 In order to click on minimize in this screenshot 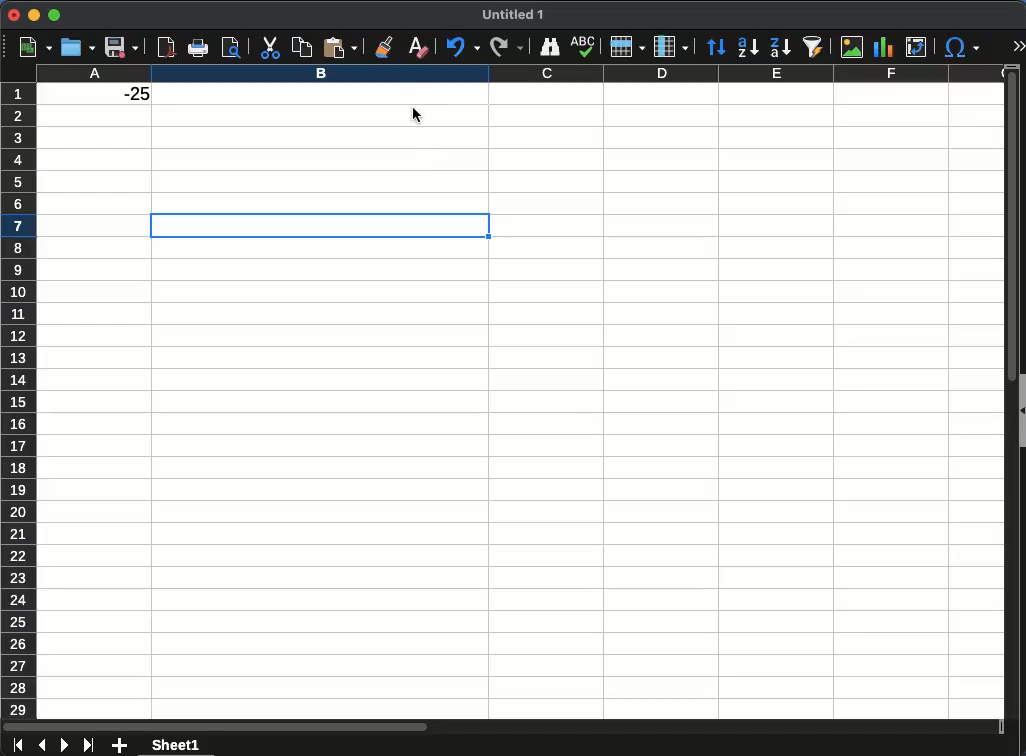, I will do `click(34, 14)`.